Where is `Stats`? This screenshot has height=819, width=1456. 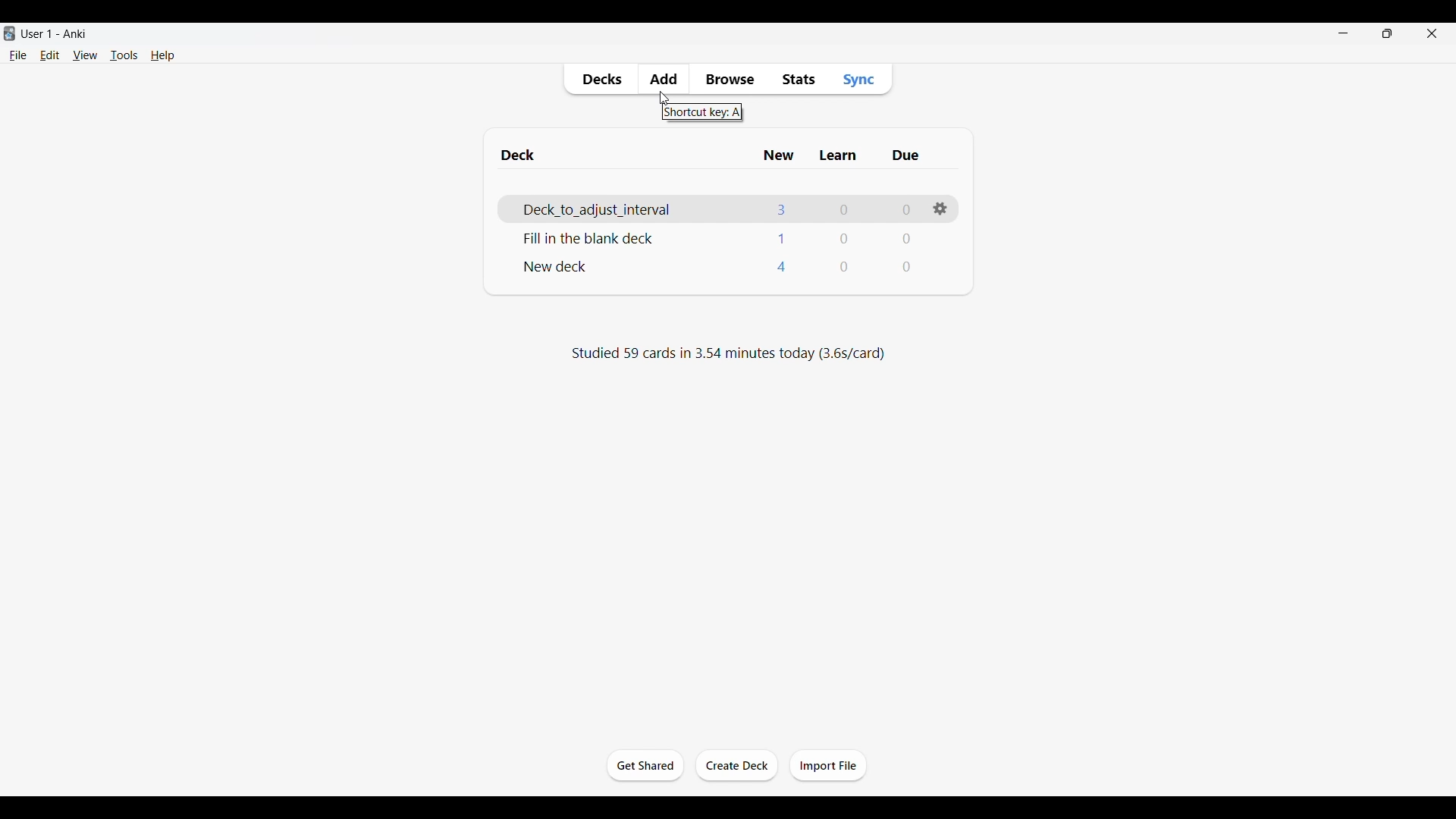 Stats is located at coordinates (798, 80).